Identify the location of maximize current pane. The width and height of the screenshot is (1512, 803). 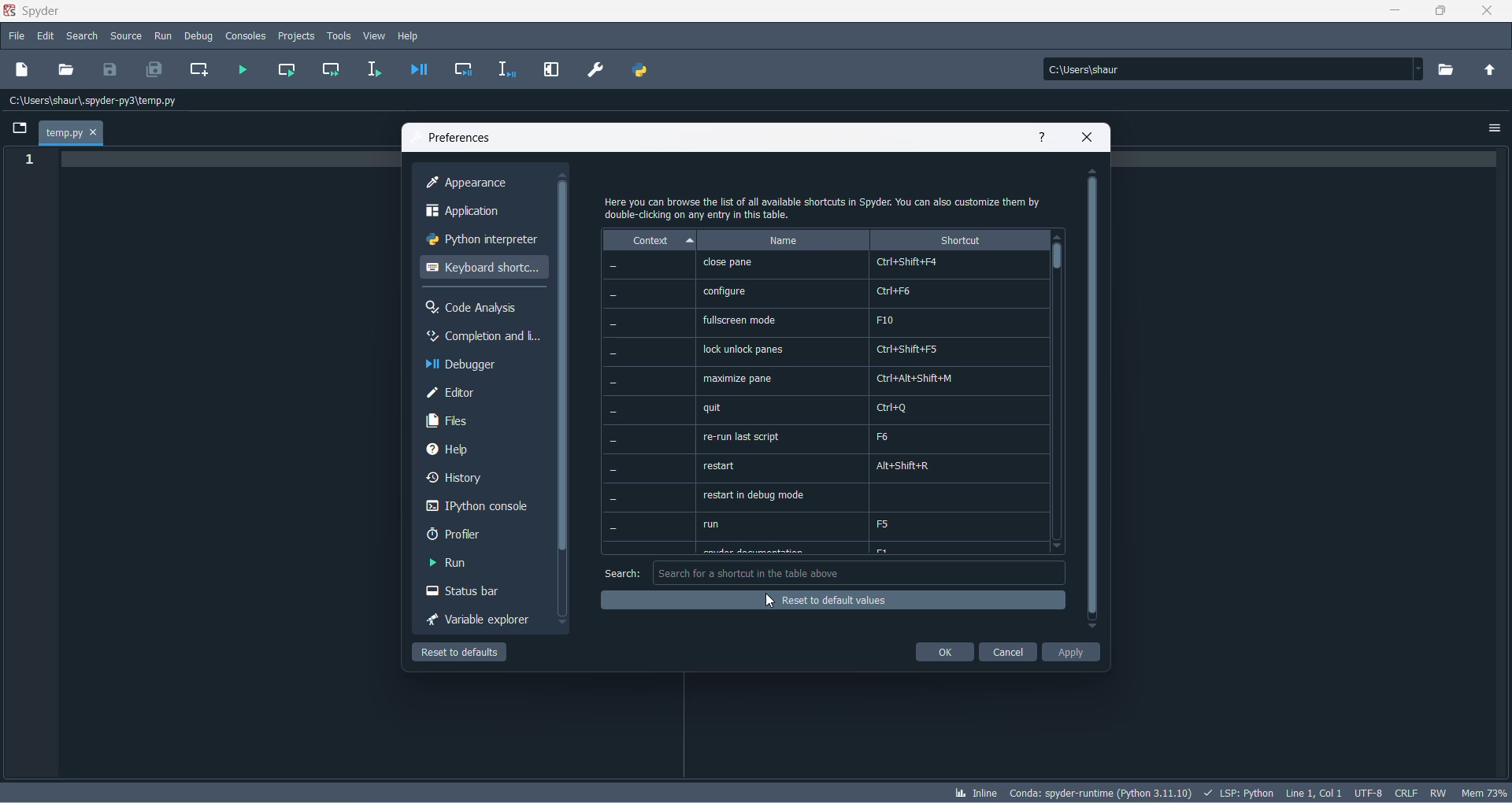
(552, 70).